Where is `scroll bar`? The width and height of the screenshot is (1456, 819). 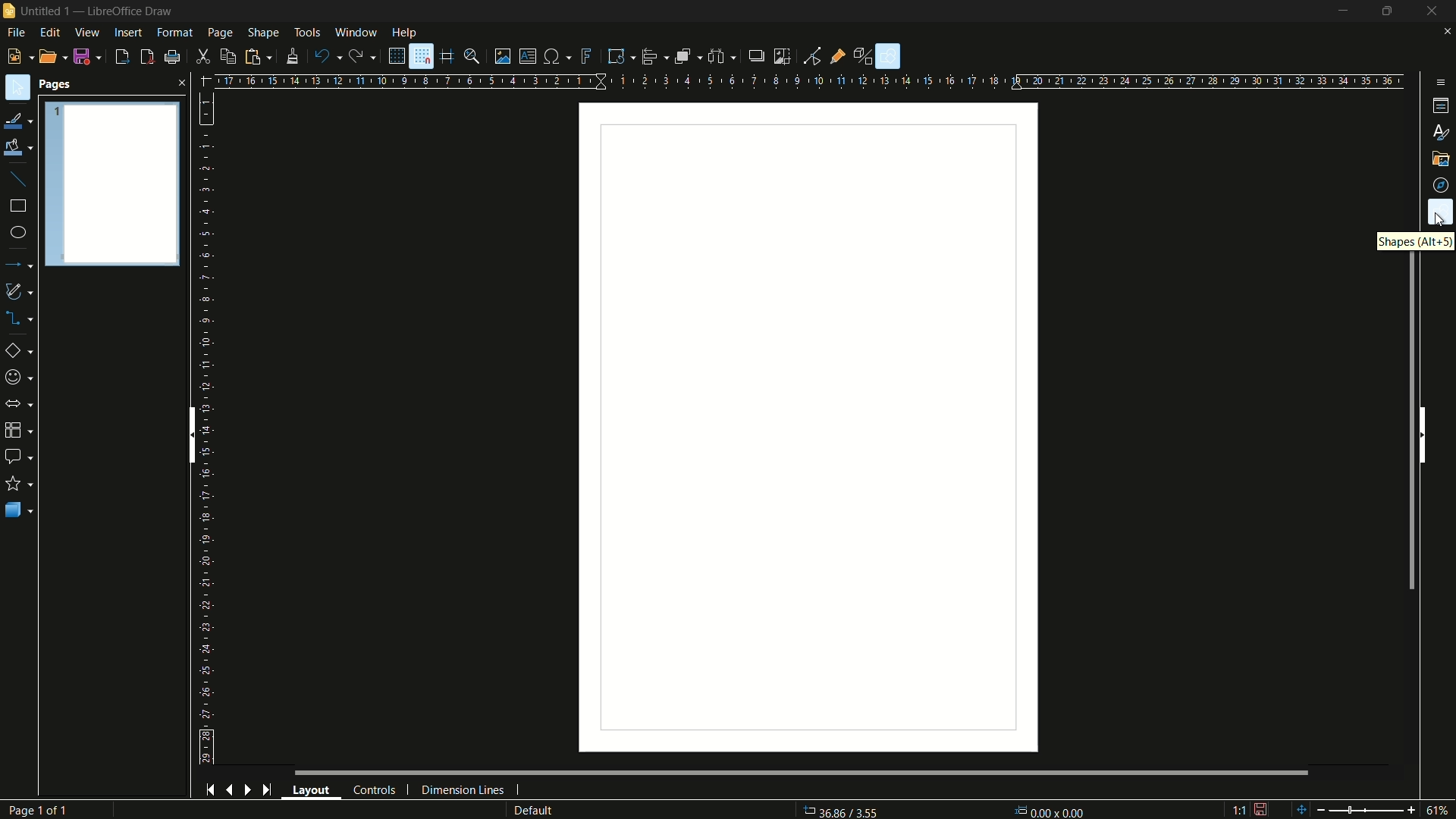 scroll bar is located at coordinates (802, 773).